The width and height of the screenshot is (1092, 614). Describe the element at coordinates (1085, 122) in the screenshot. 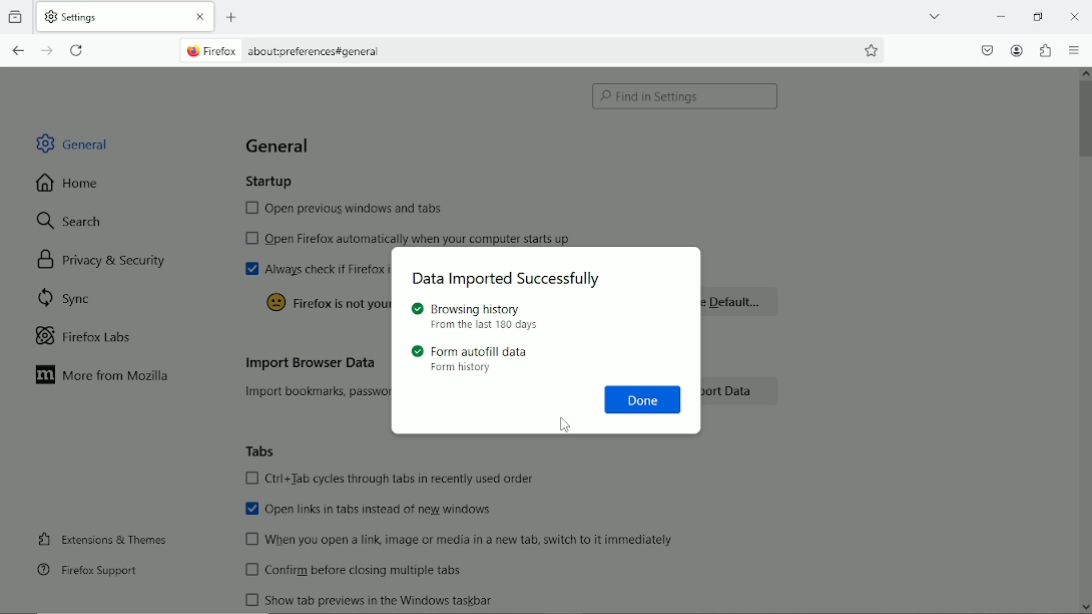

I see `Vertical scrollbar` at that location.